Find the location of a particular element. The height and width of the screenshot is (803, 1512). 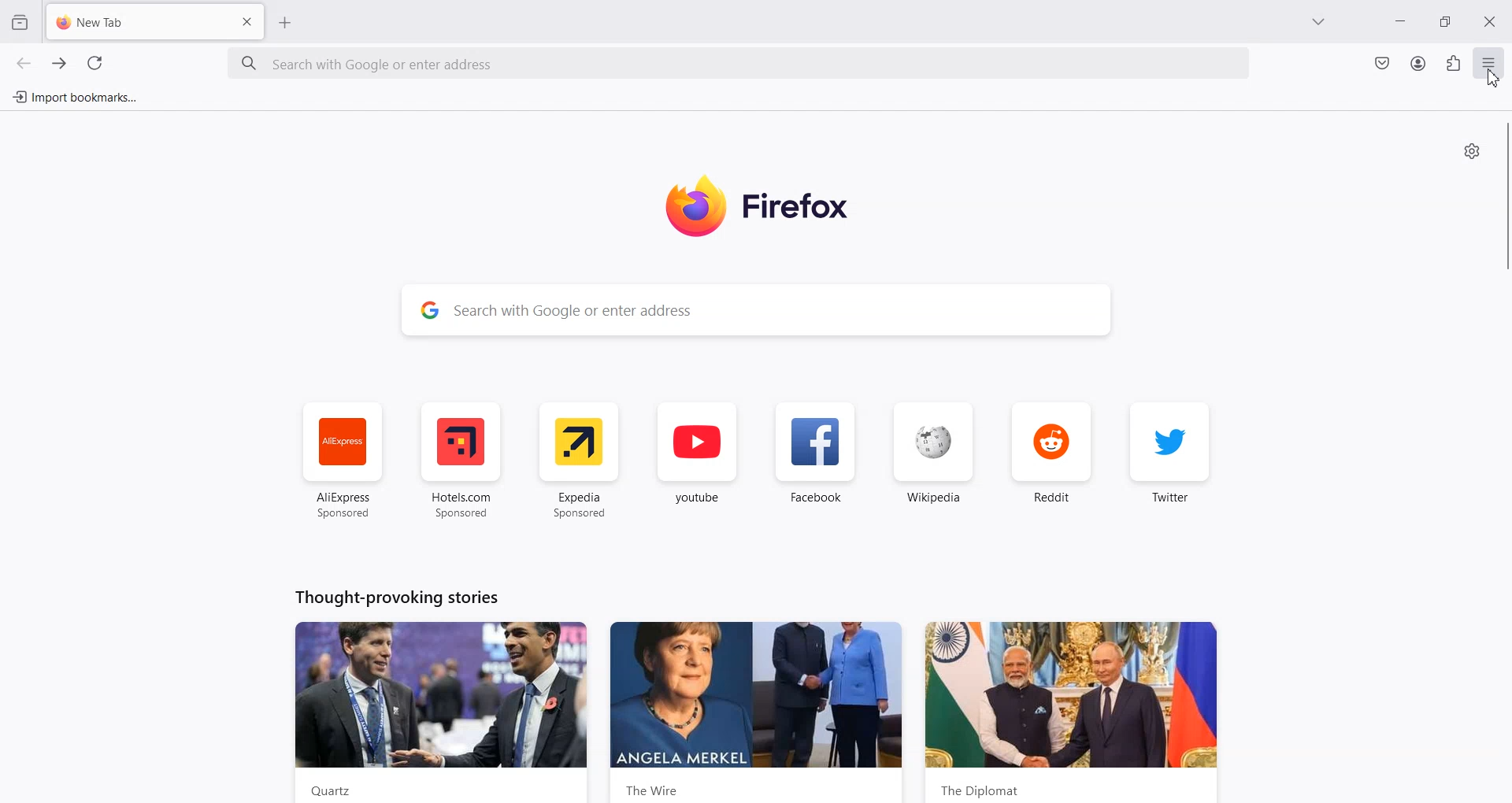

News is located at coordinates (431, 711).